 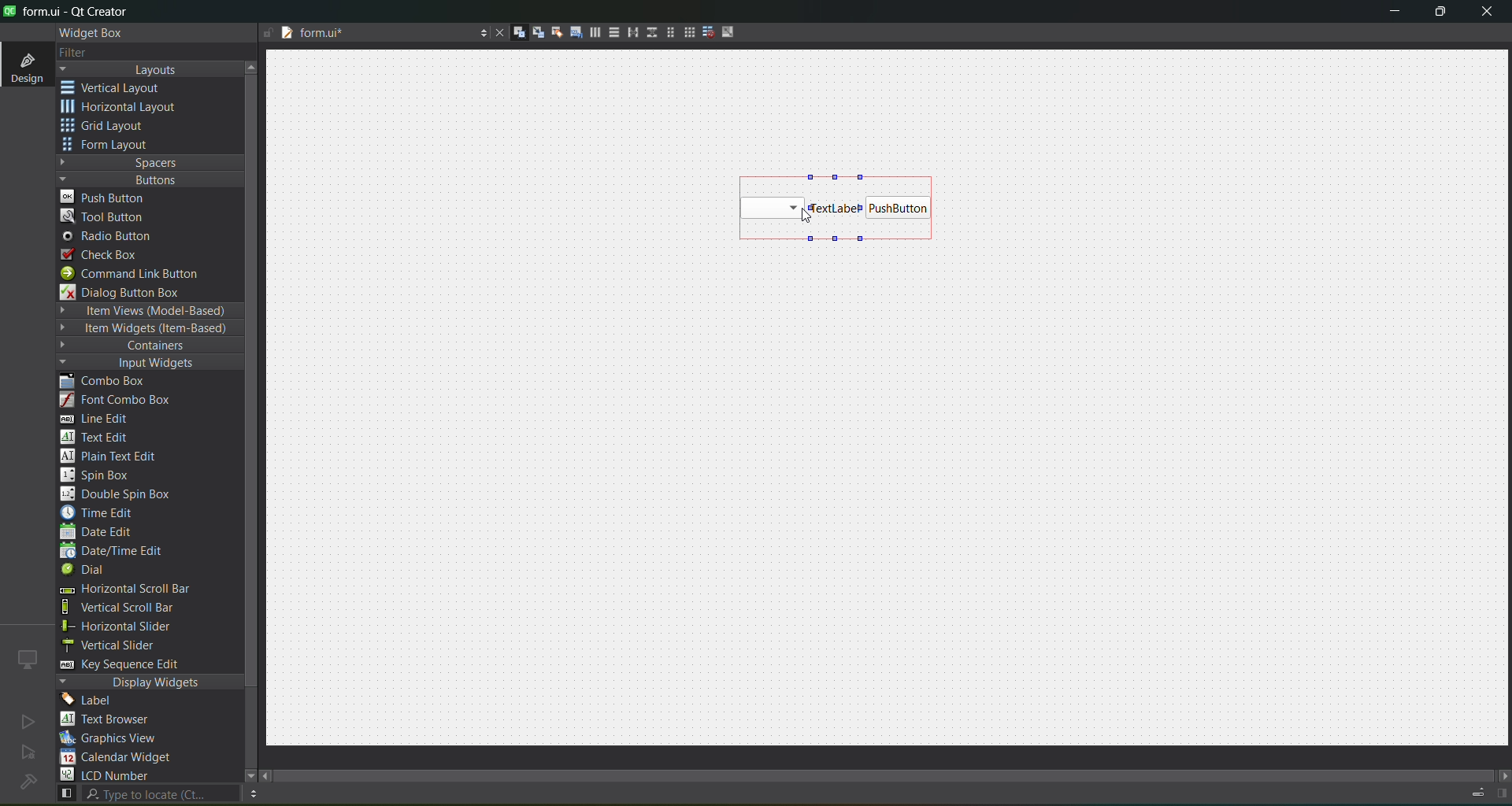 I want to click on edit buddies, so click(x=551, y=32).